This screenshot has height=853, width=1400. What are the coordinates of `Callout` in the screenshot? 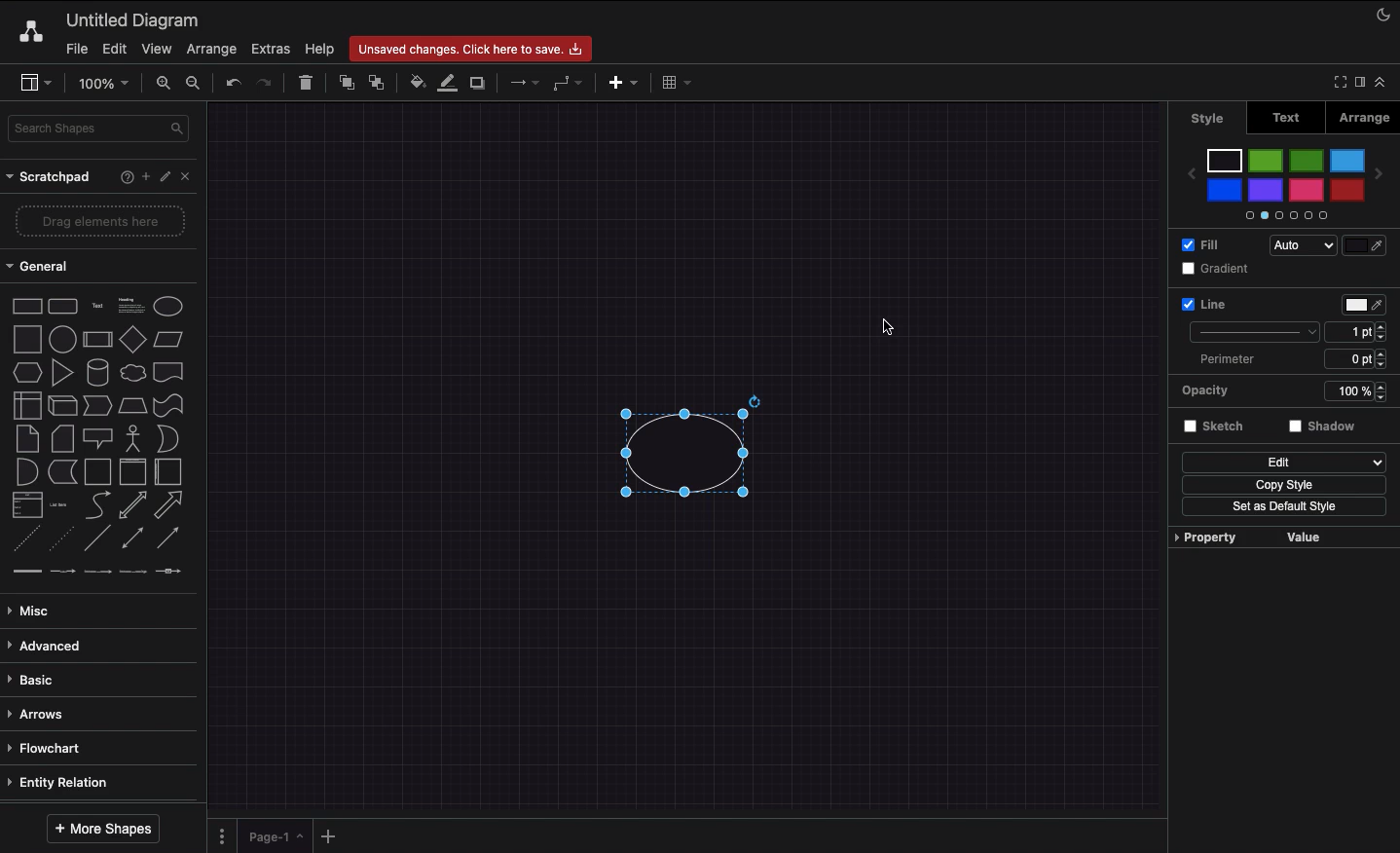 It's located at (99, 438).